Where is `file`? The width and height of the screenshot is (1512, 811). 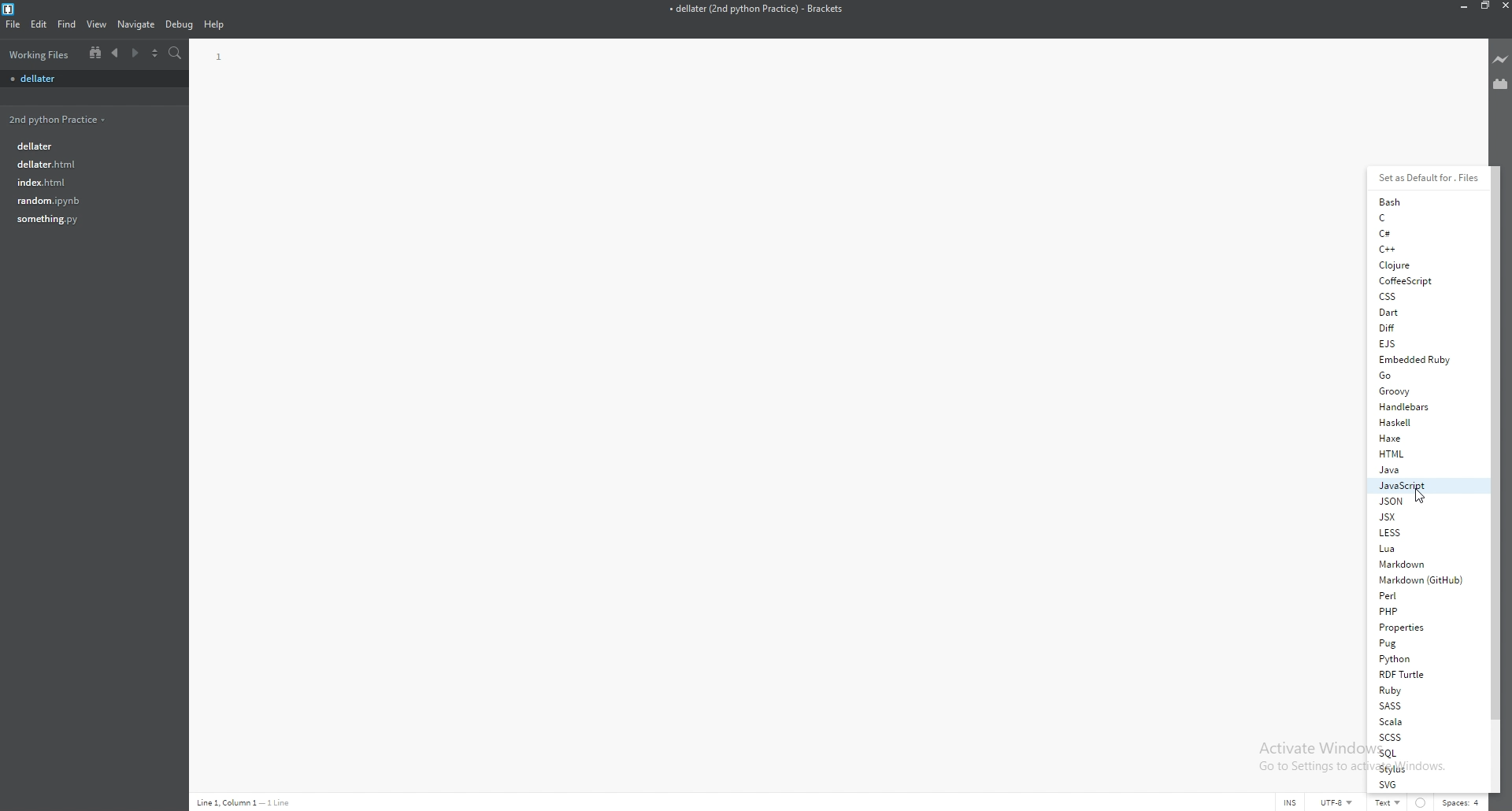 file is located at coordinates (89, 200).